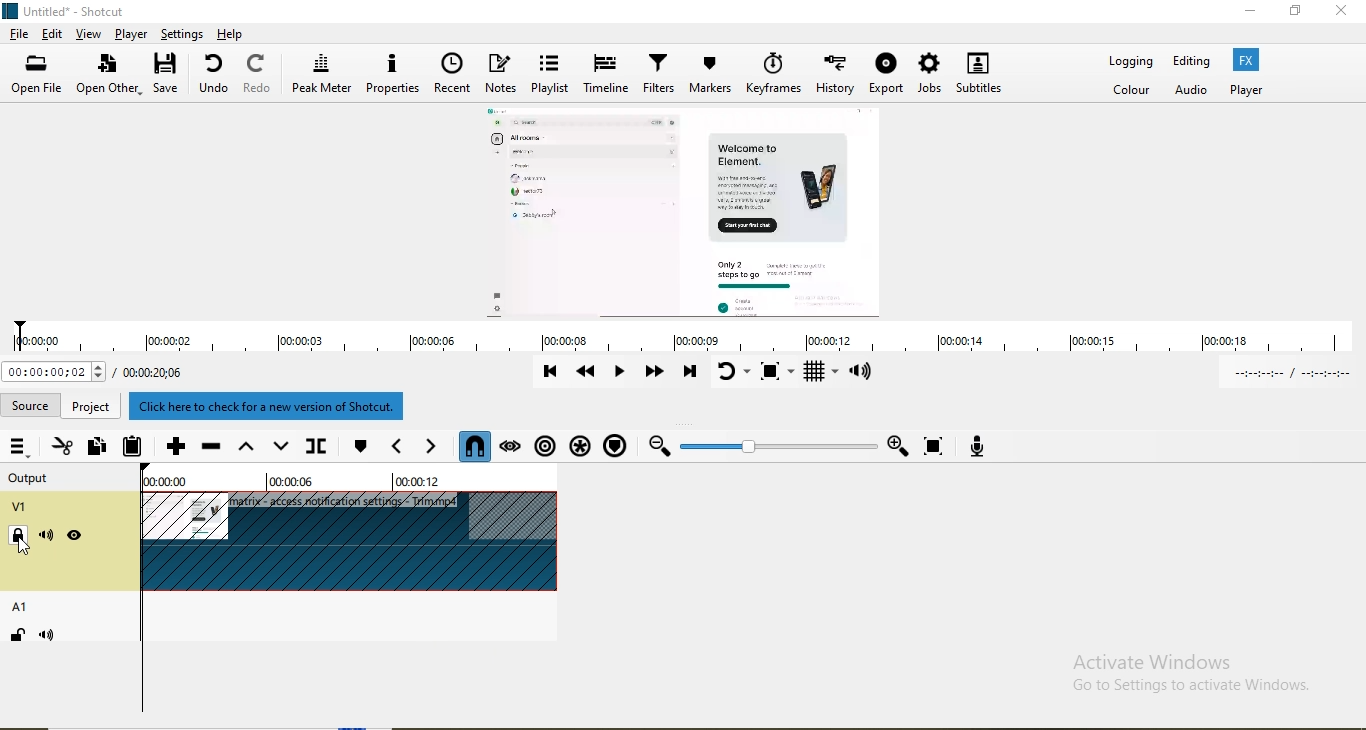  What do you see at coordinates (779, 373) in the screenshot?
I see `Toggle zoom` at bounding box center [779, 373].